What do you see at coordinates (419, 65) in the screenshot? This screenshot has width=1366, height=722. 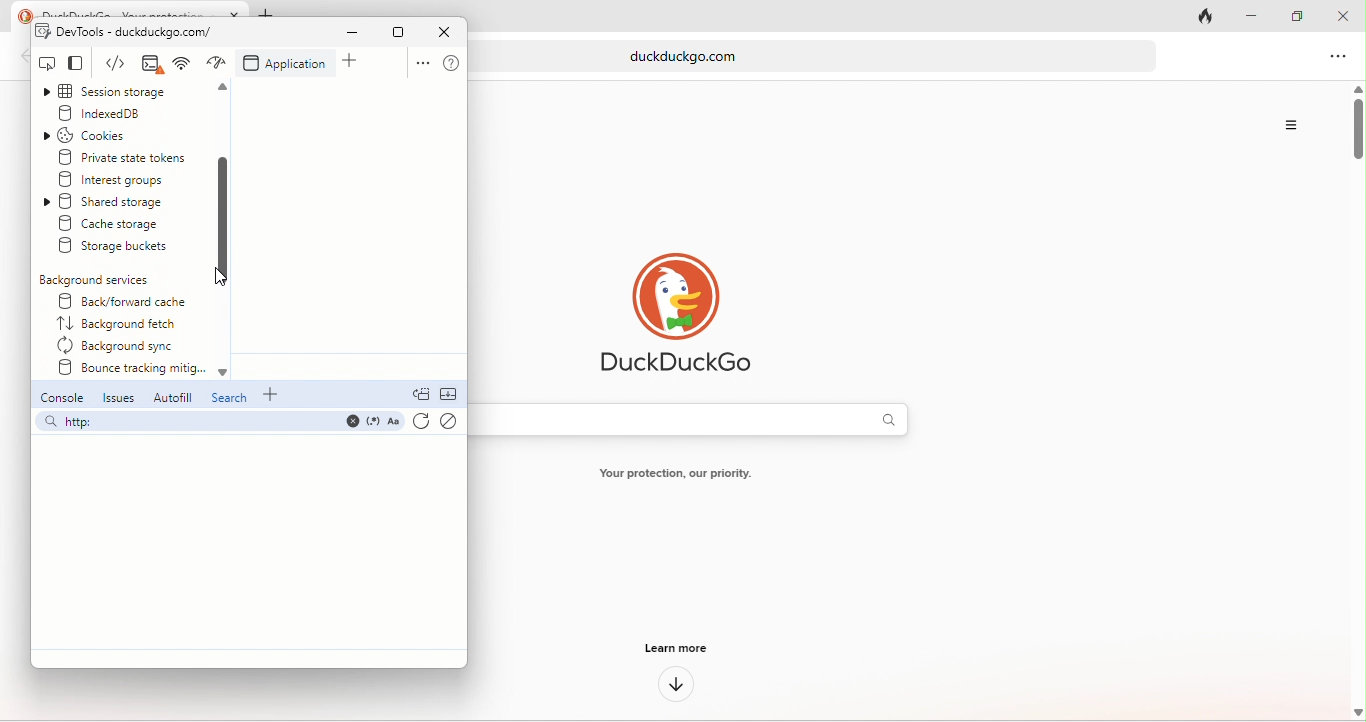 I see `option` at bounding box center [419, 65].